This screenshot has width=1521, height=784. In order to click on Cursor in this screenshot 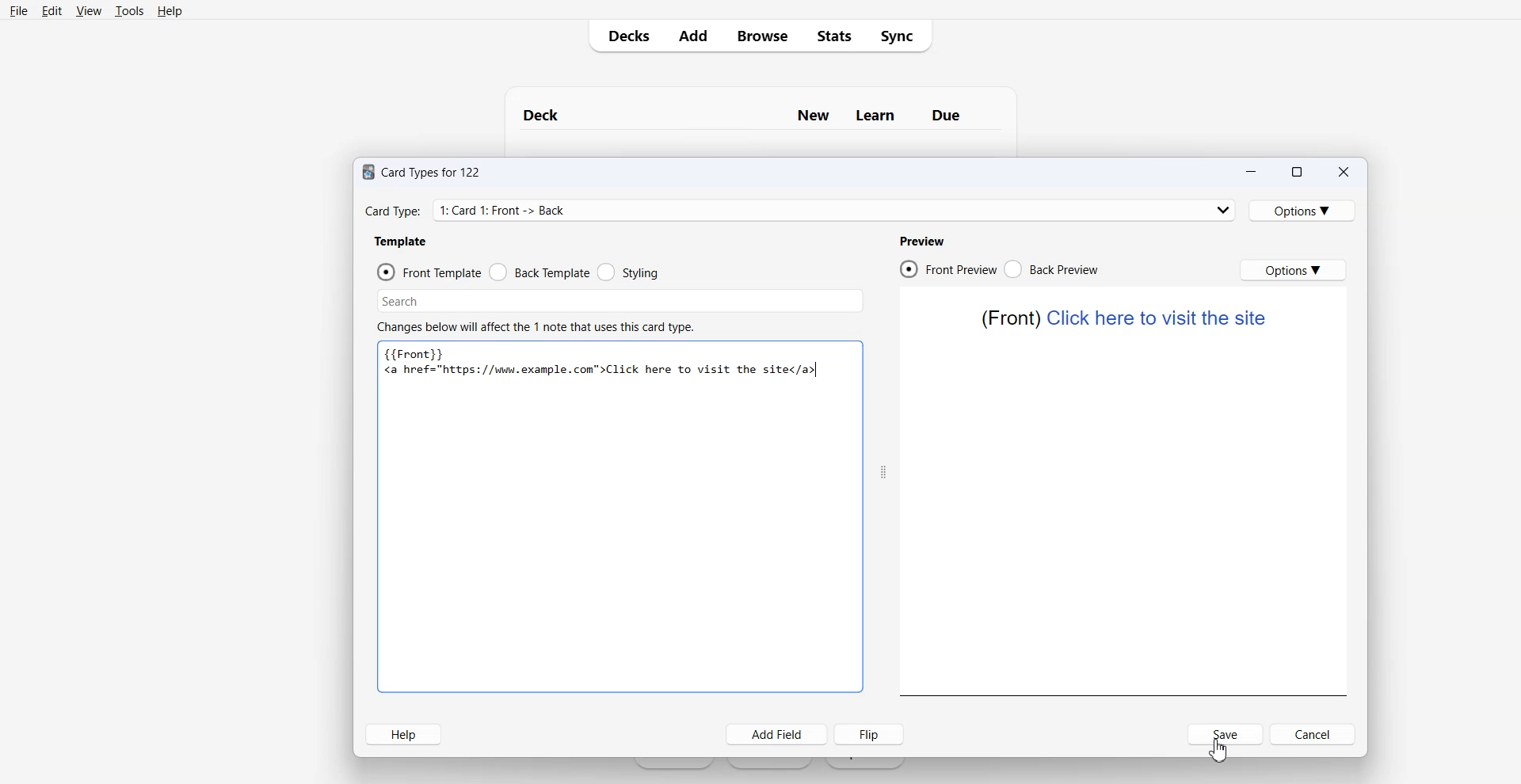, I will do `click(1220, 750)`.